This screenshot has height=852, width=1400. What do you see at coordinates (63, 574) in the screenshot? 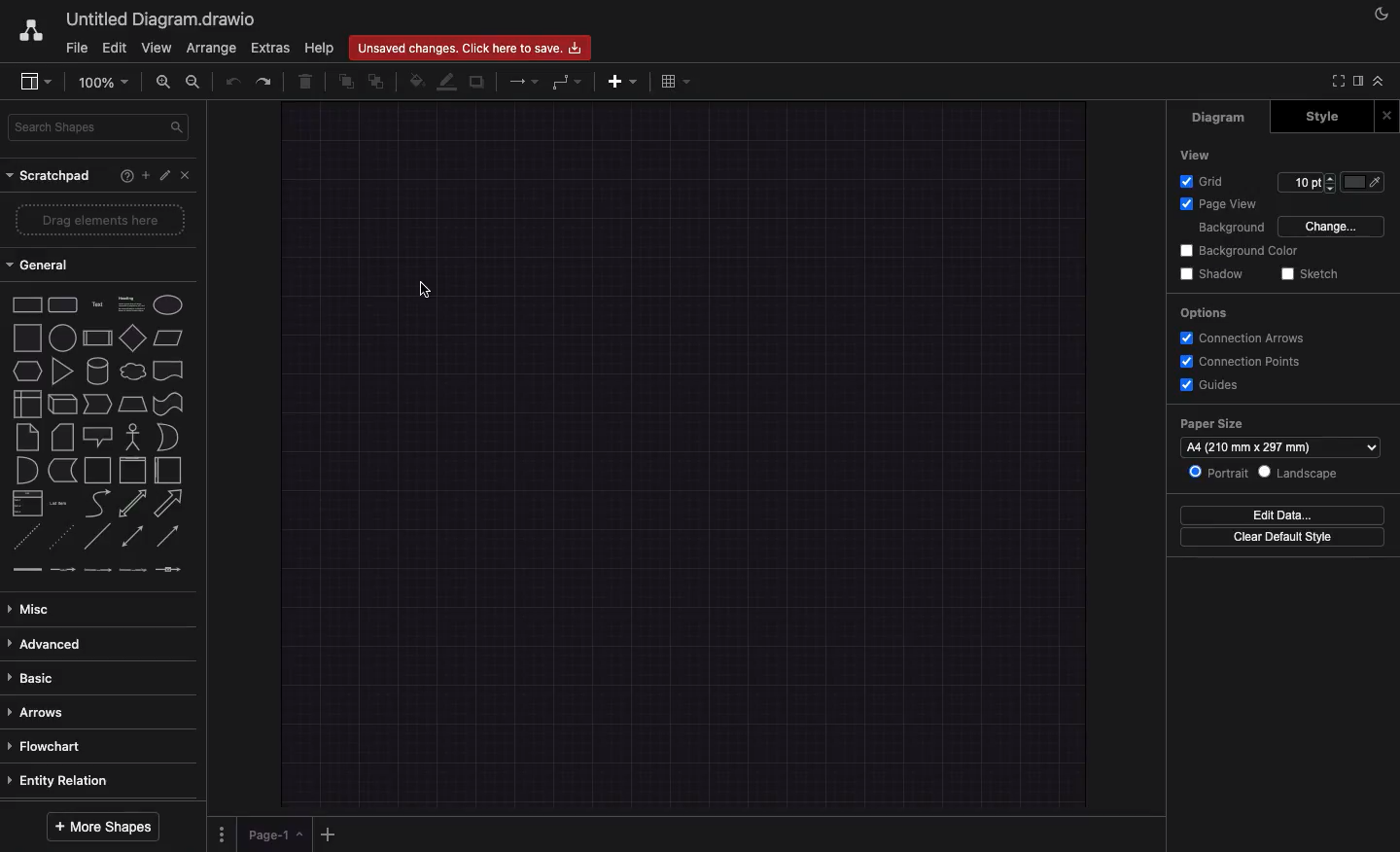
I see `connector with label` at bounding box center [63, 574].